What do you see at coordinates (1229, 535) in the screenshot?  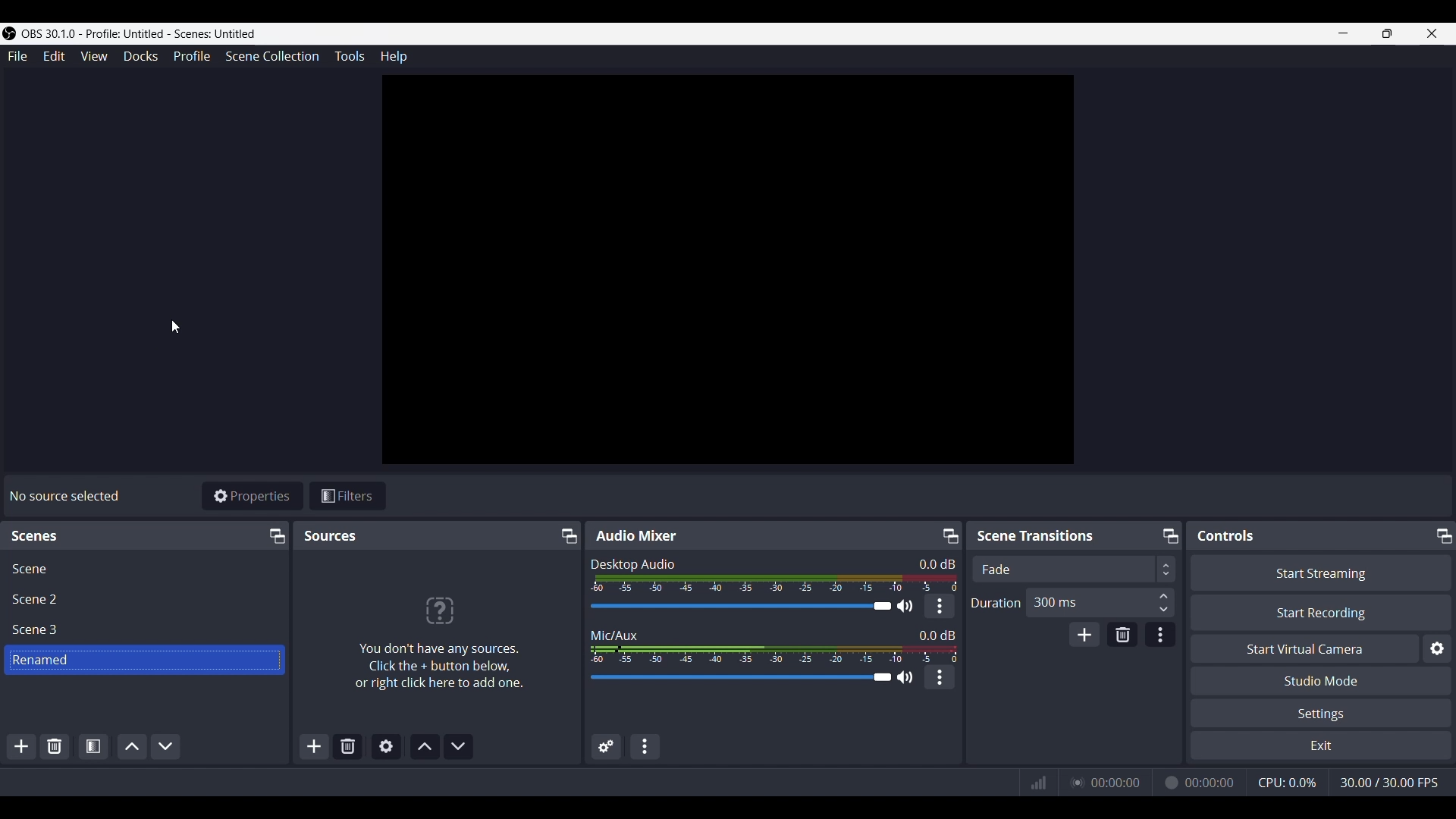 I see `Controls` at bounding box center [1229, 535].